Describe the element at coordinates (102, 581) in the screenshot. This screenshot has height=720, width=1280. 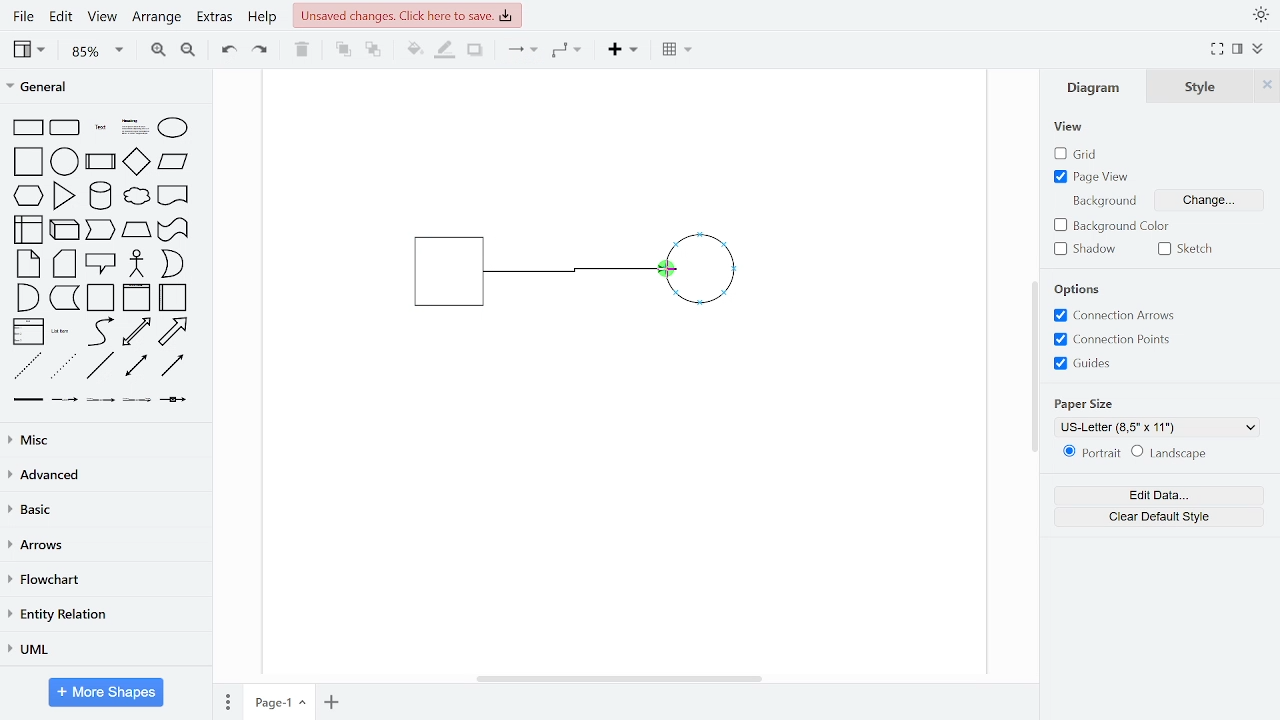
I see `flowchart` at that location.